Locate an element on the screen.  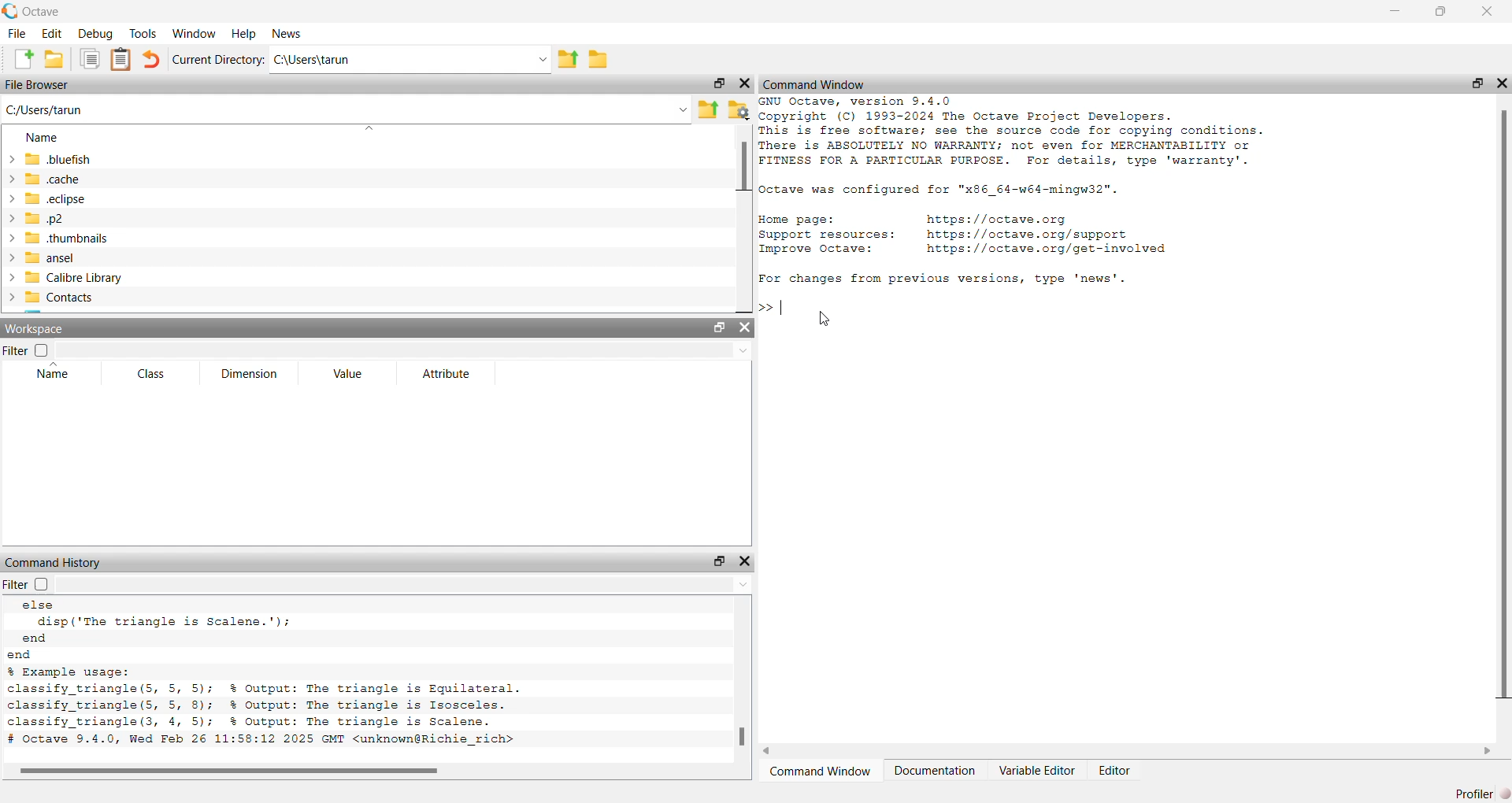
filter is located at coordinates (33, 585).